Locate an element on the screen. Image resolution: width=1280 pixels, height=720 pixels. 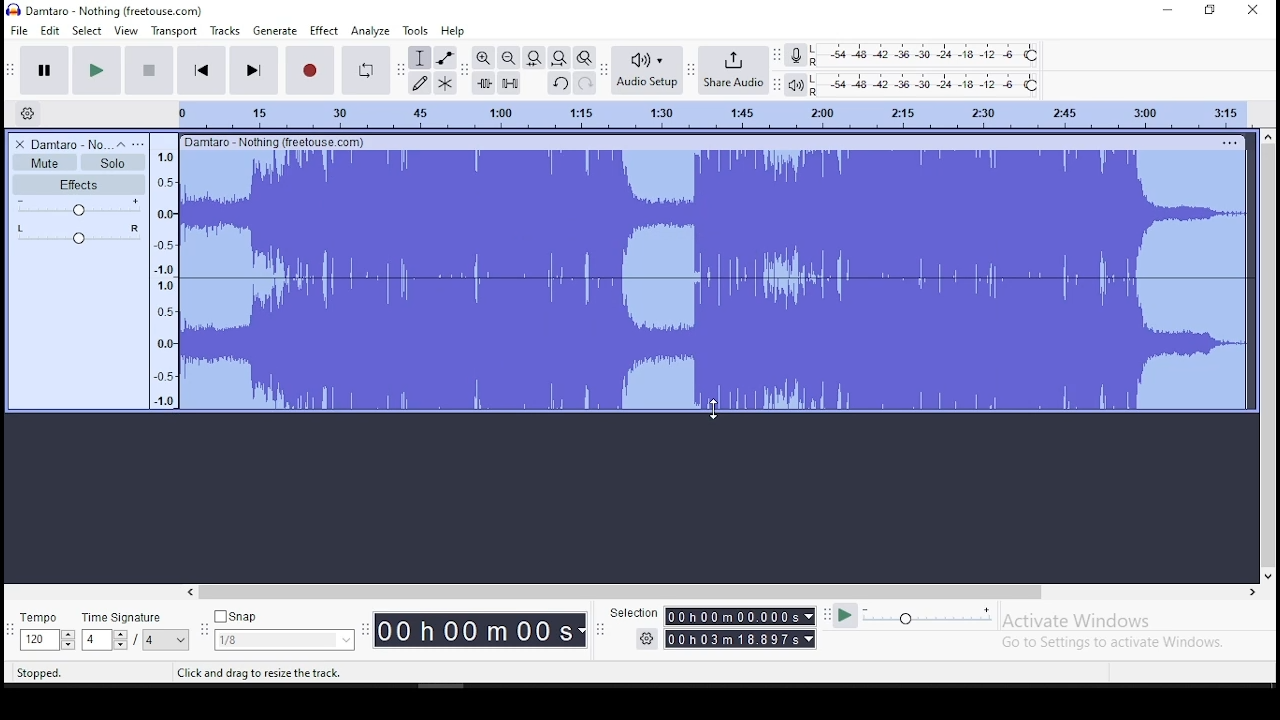
zoom toggle is located at coordinates (584, 58).